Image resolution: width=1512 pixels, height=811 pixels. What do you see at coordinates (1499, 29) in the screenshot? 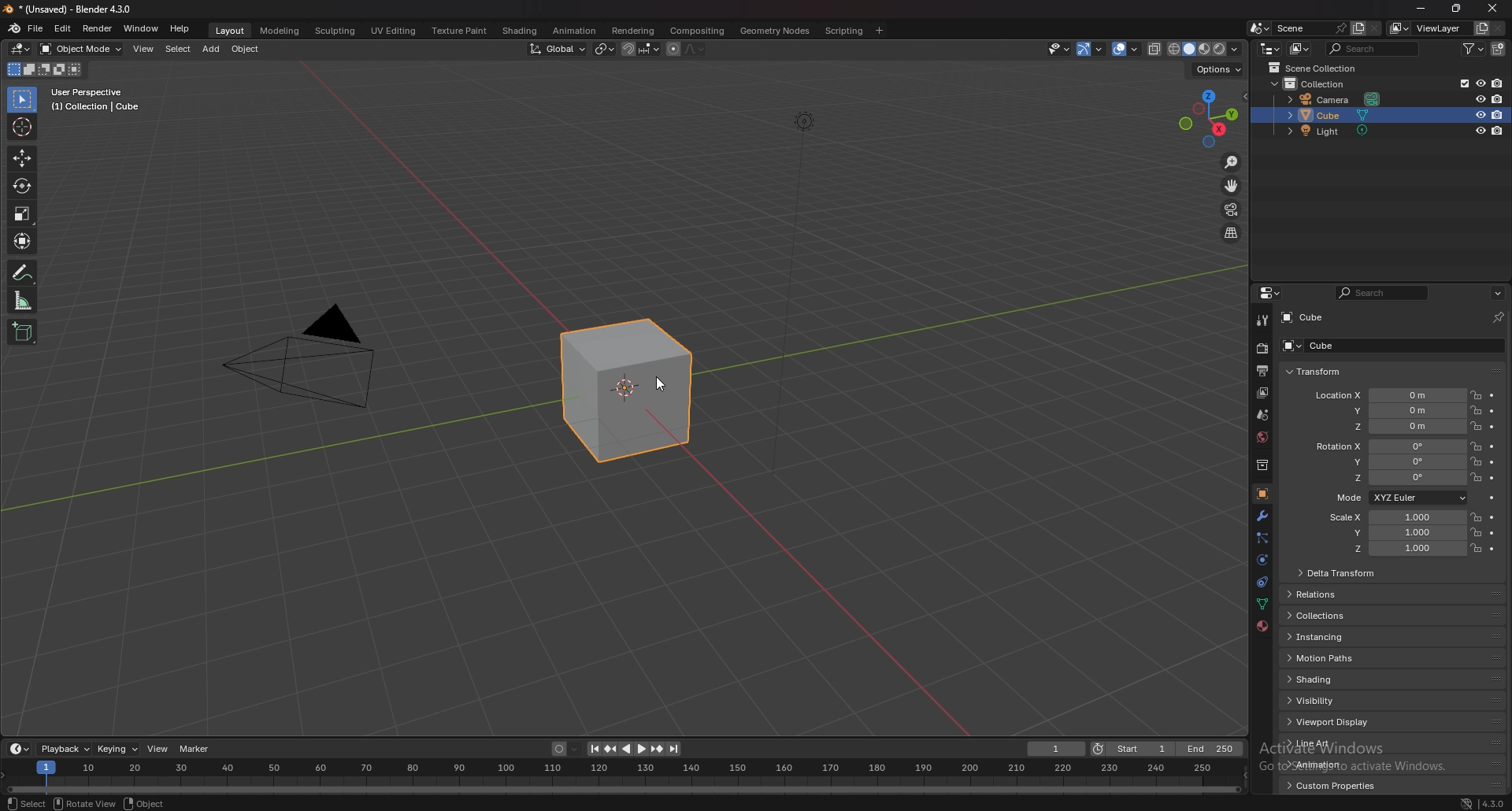
I see `remove view layer` at bounding box center [1499, 29].